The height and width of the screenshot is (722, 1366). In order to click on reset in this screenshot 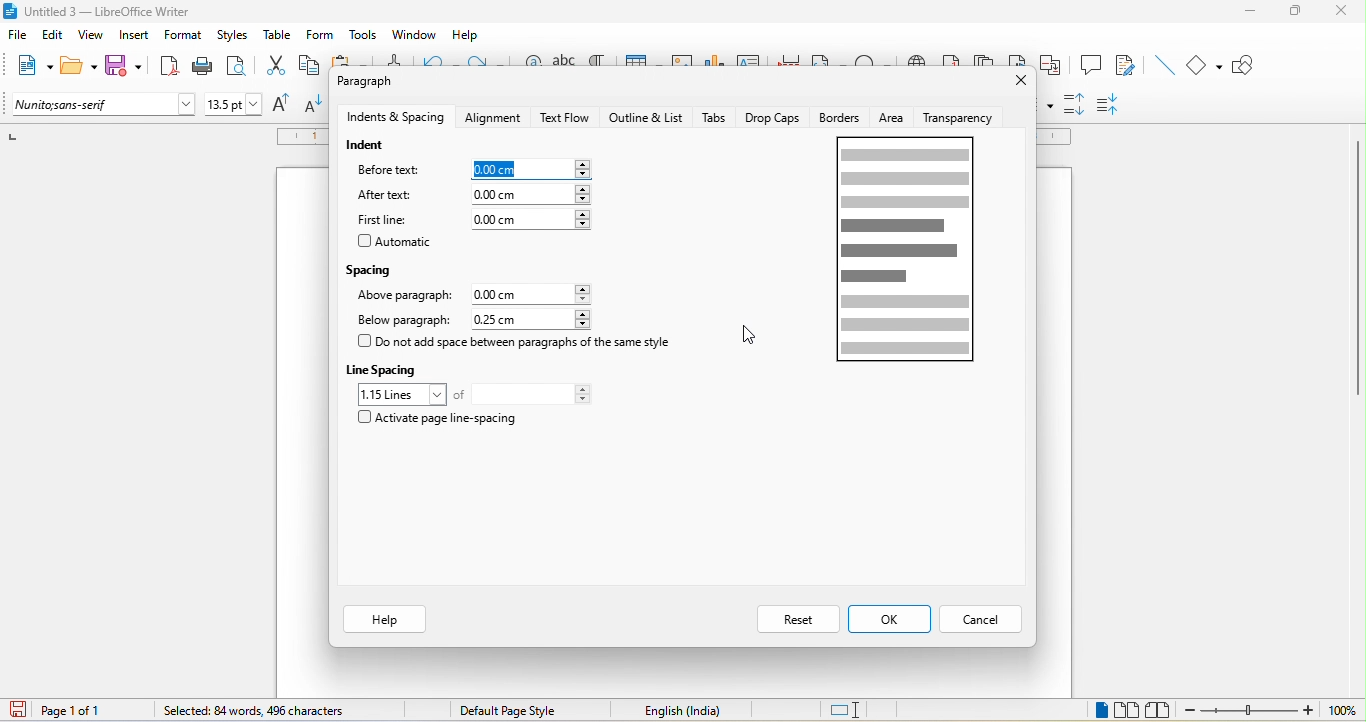, I will do `click(800, 620)`.